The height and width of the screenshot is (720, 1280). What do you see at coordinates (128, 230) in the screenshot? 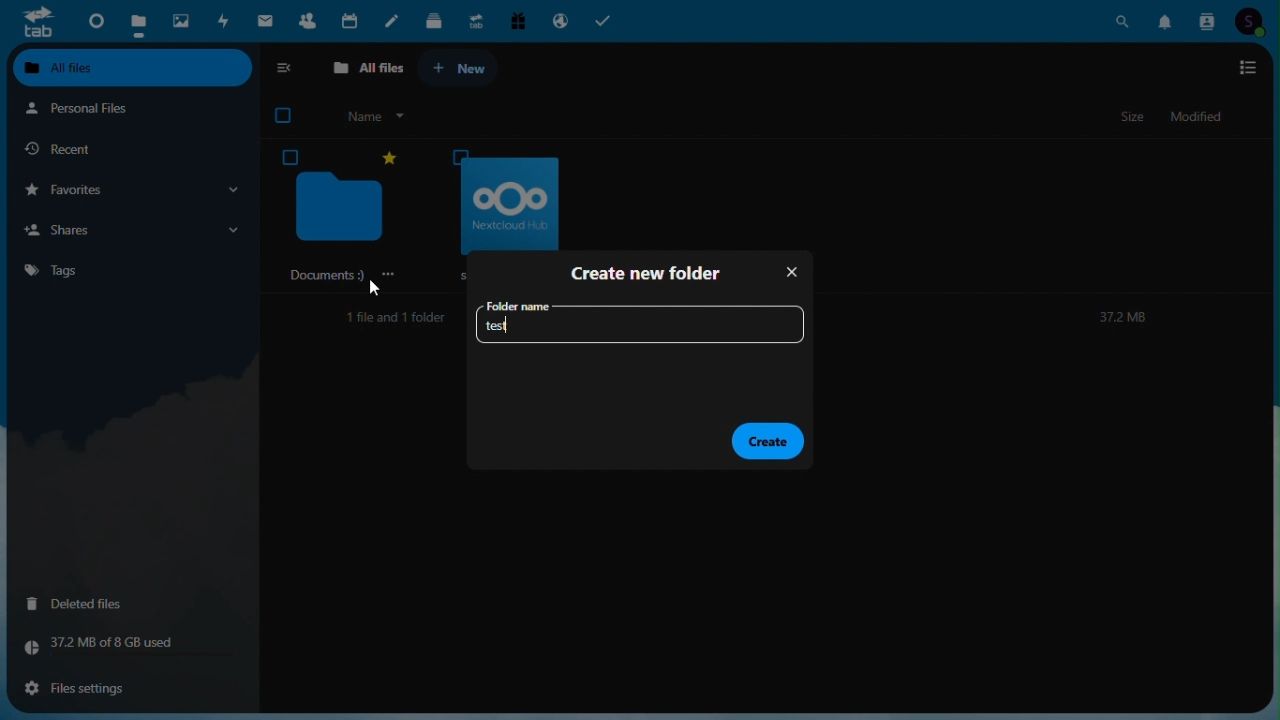
I see `Shares` at bounding box center [128, 230].